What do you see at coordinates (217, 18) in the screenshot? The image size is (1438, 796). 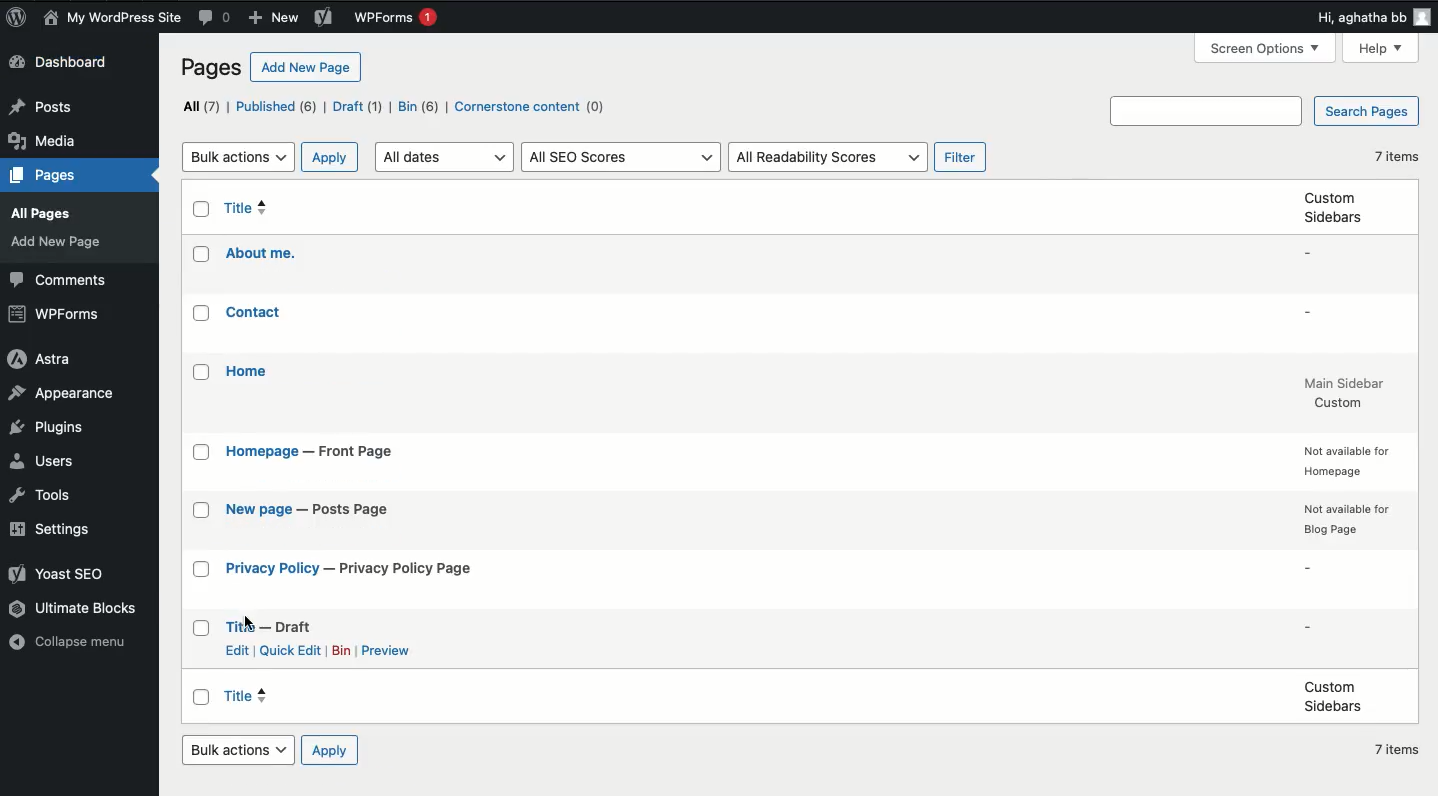 I see `Comments` at bounding box center [217, 18].